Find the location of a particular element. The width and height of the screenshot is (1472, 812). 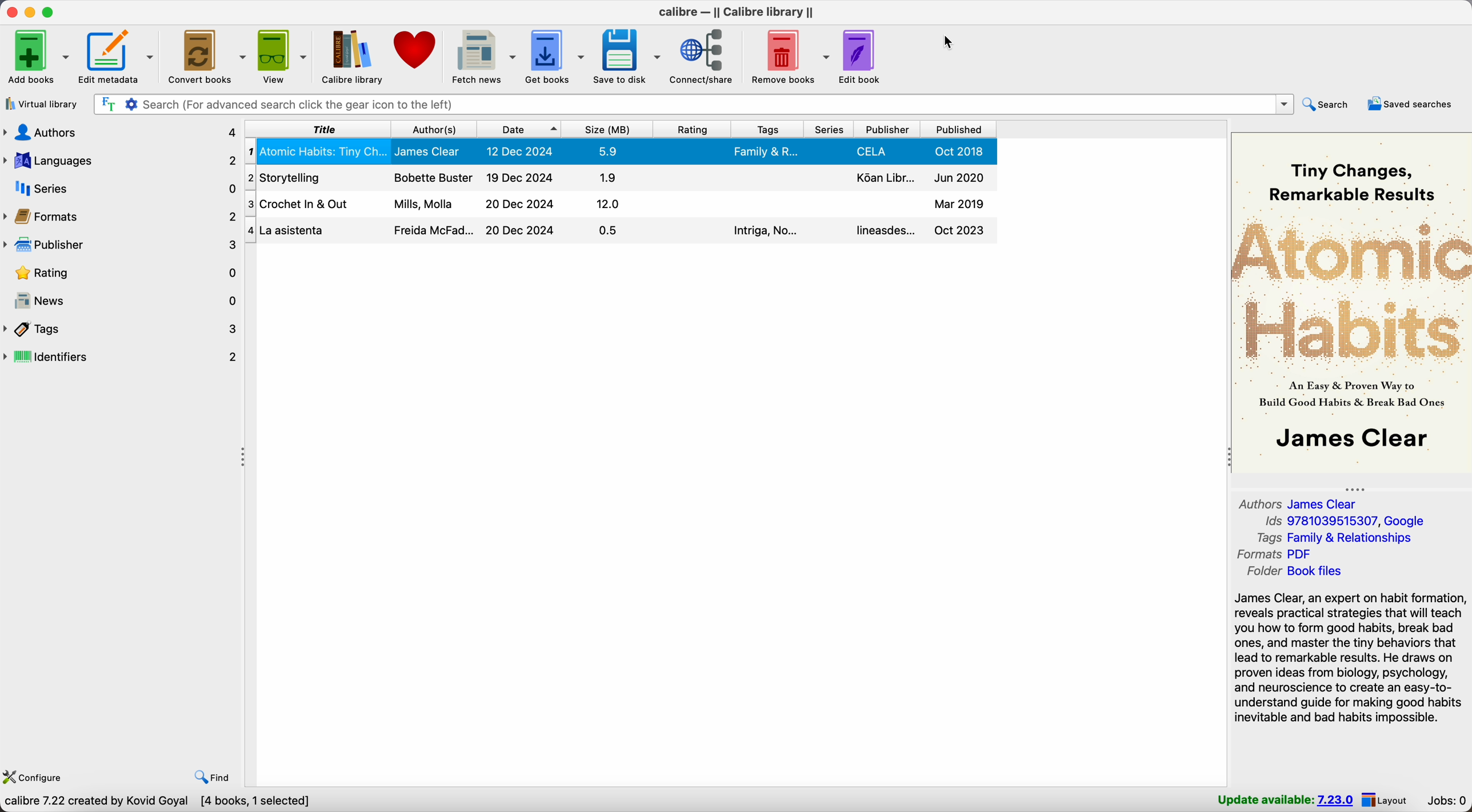

update available is located at coordinates (1282, 800).